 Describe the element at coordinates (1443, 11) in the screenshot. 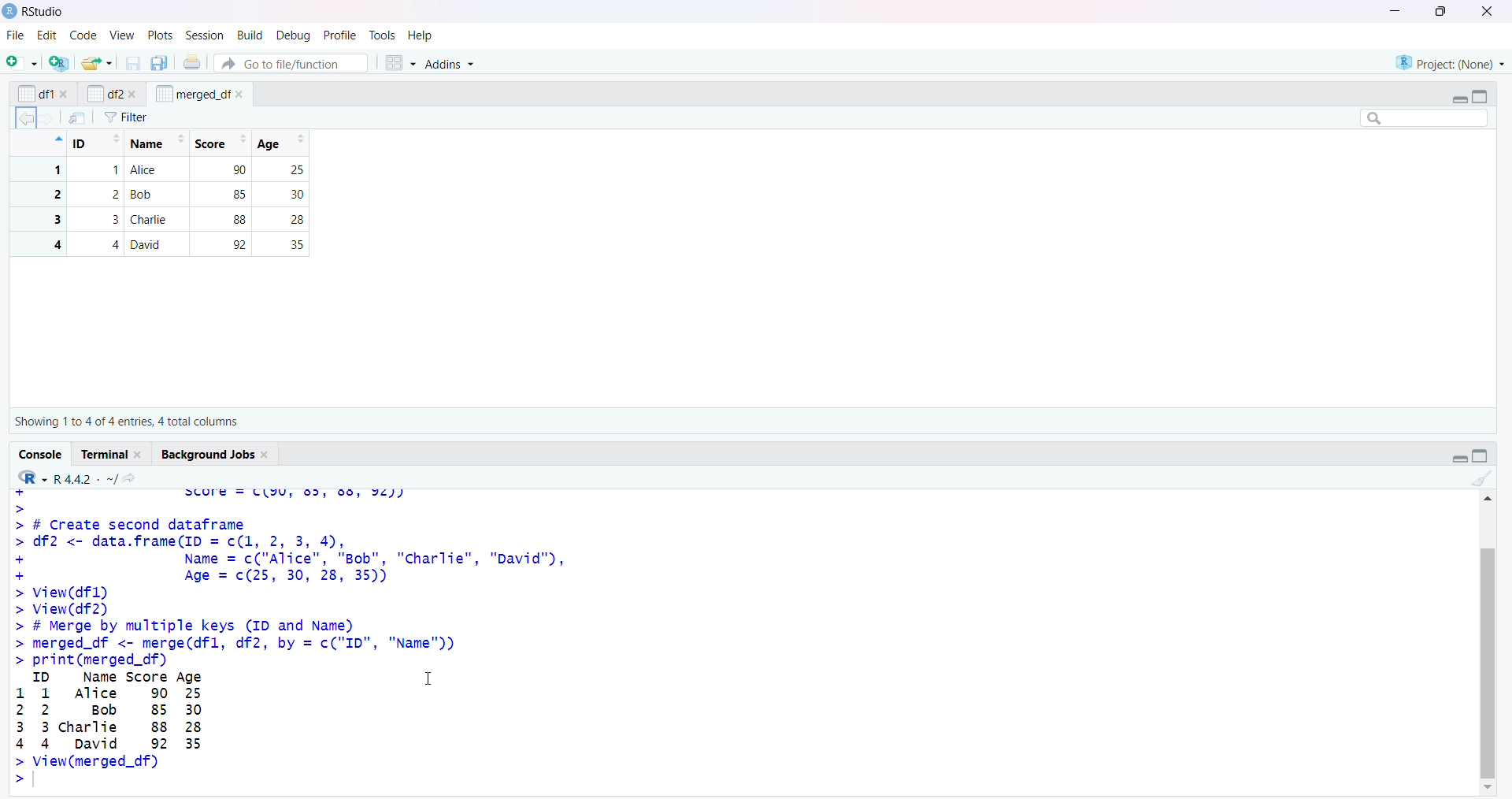

I see `maximize` at that location.